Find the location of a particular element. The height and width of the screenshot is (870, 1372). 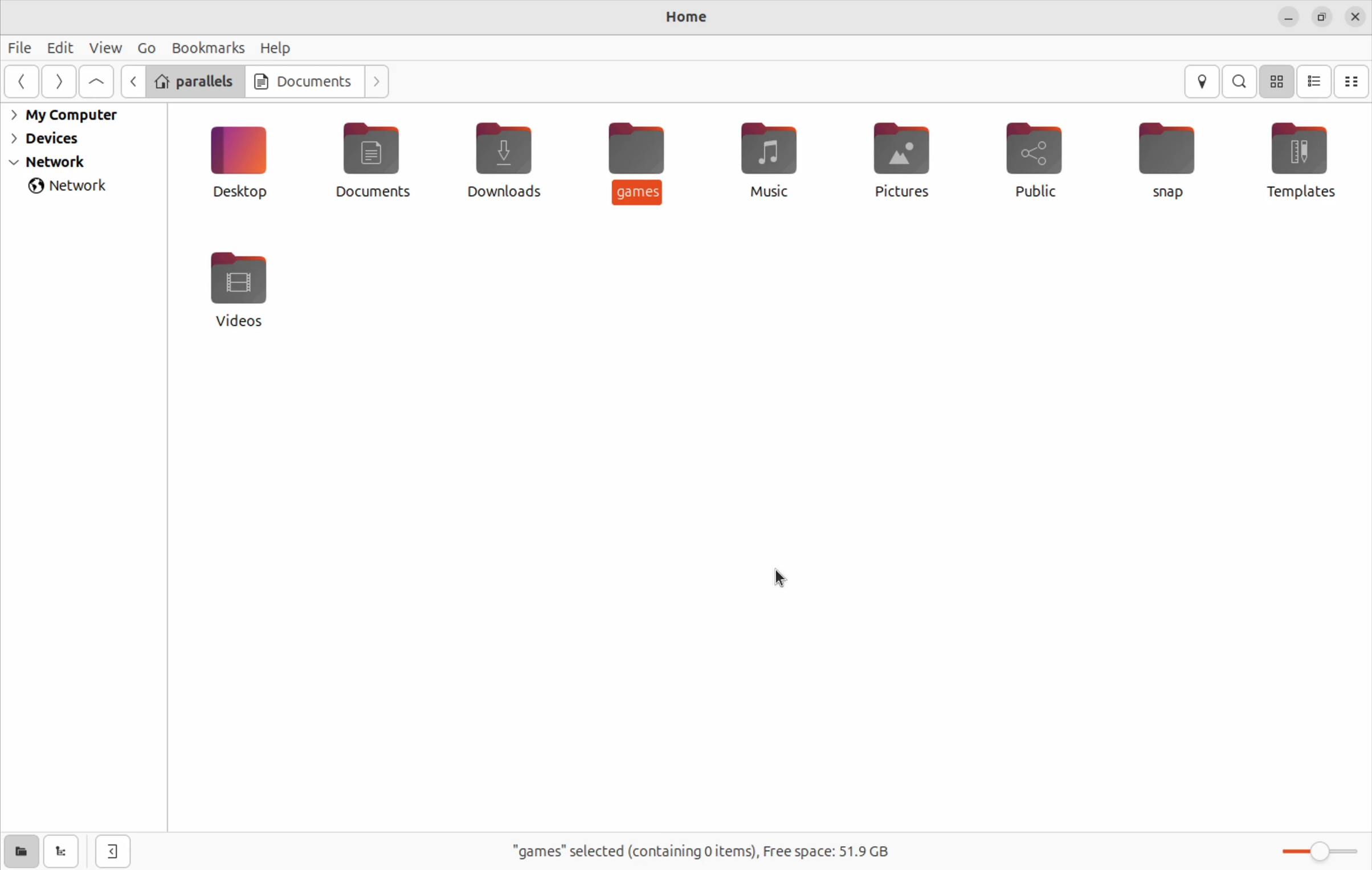

show tree view is located at coordinates (60, 852).